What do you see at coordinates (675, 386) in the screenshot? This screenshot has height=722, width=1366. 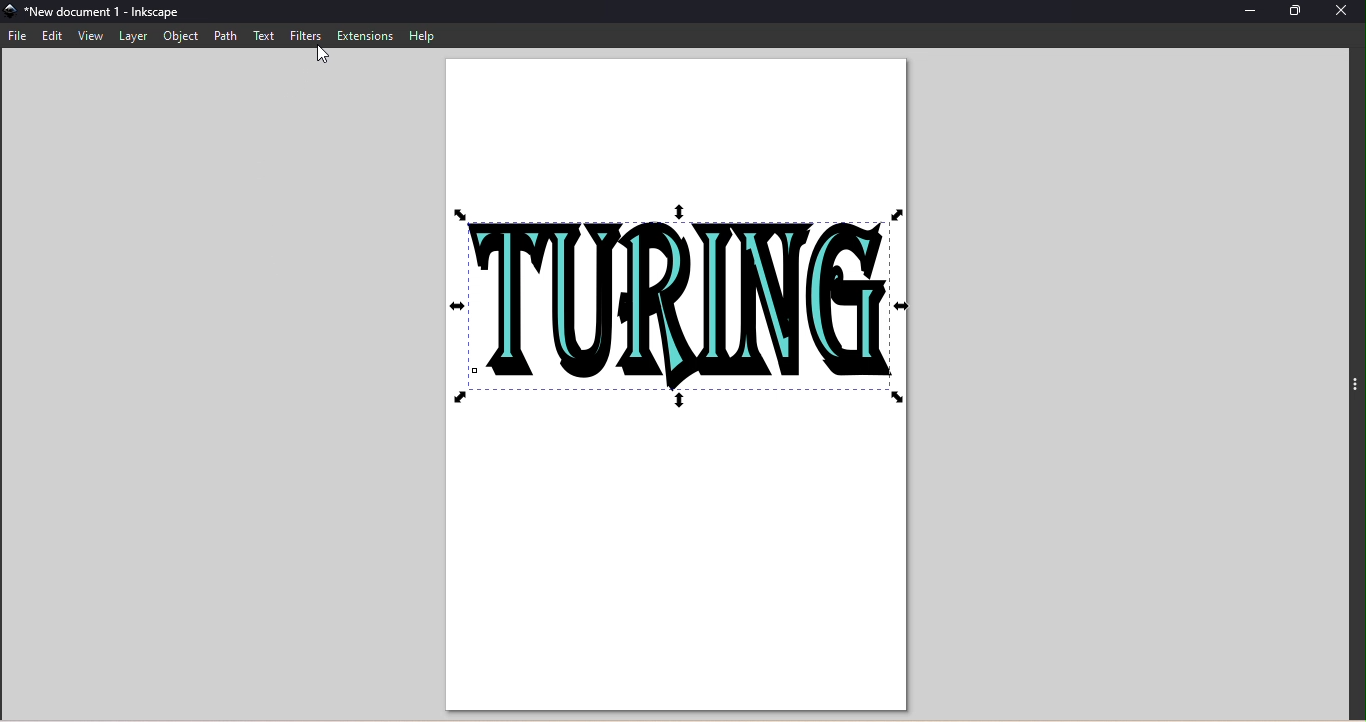 I see `Canvas showing turing text` at bounding box center [675, 386].